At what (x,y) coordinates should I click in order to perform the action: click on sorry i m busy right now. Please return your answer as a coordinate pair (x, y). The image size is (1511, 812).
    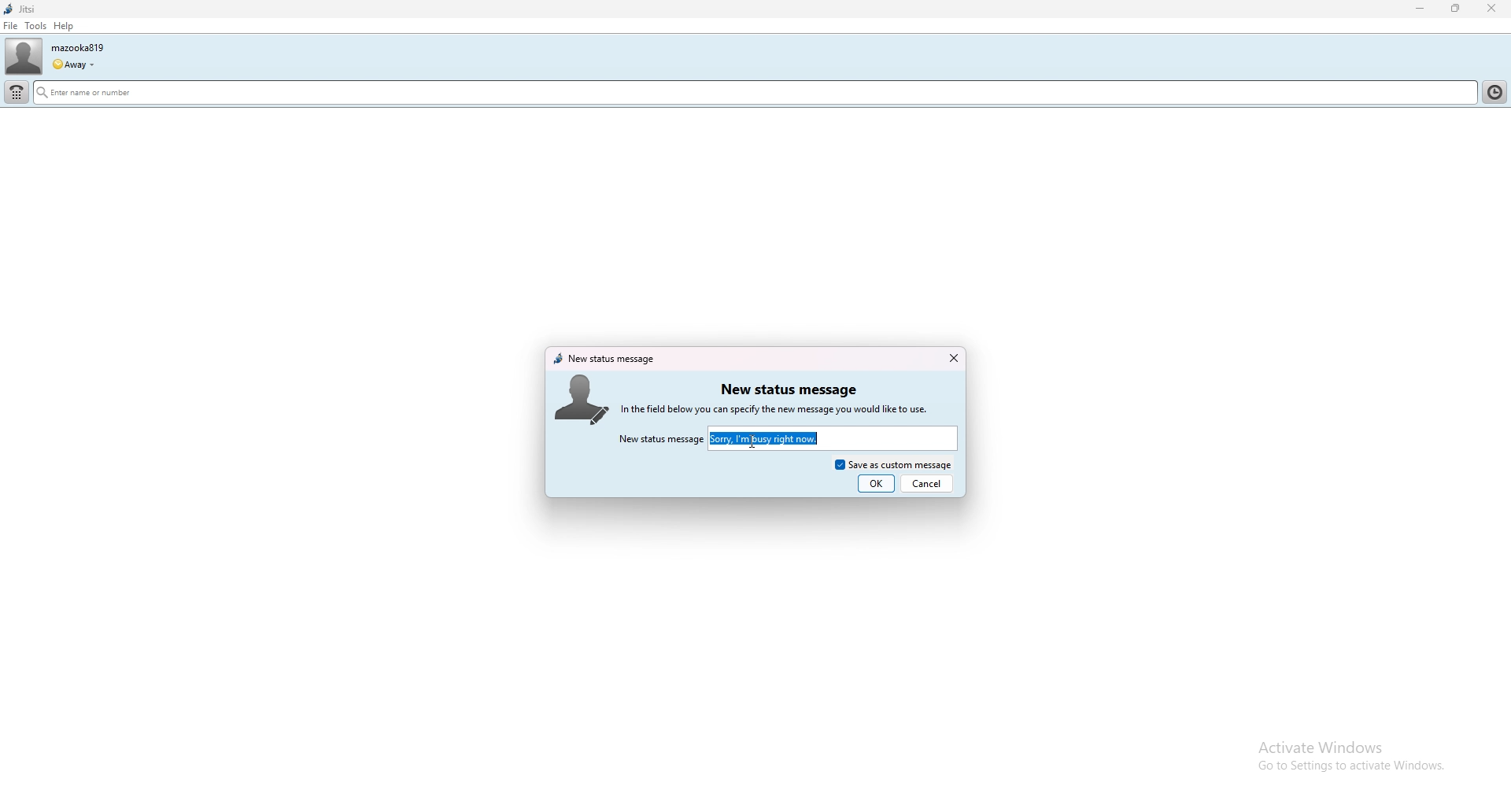
    Looking at the image, I should click on (782, 438).